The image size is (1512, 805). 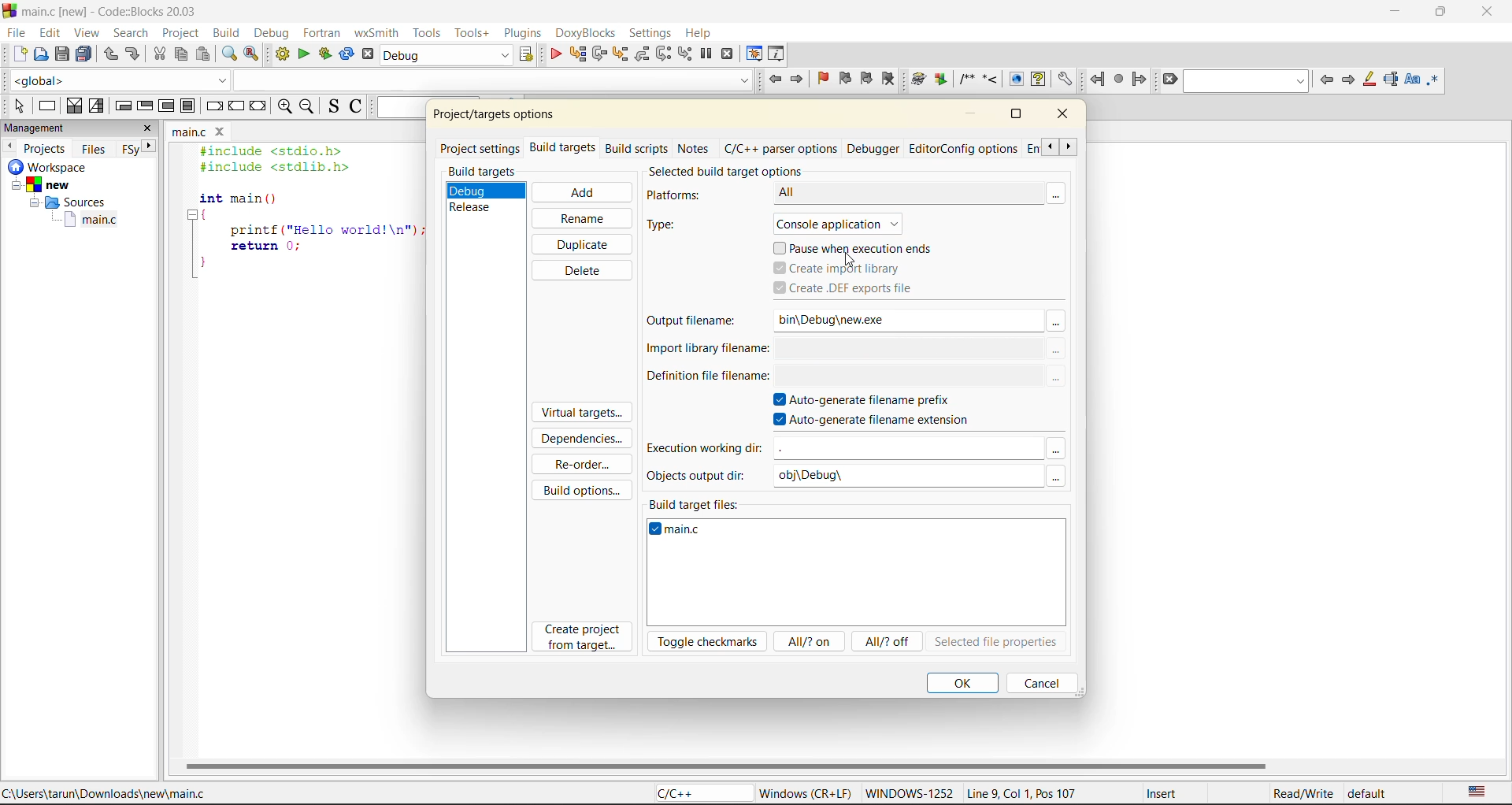 I want to click on type, so click(x=673, y=226).